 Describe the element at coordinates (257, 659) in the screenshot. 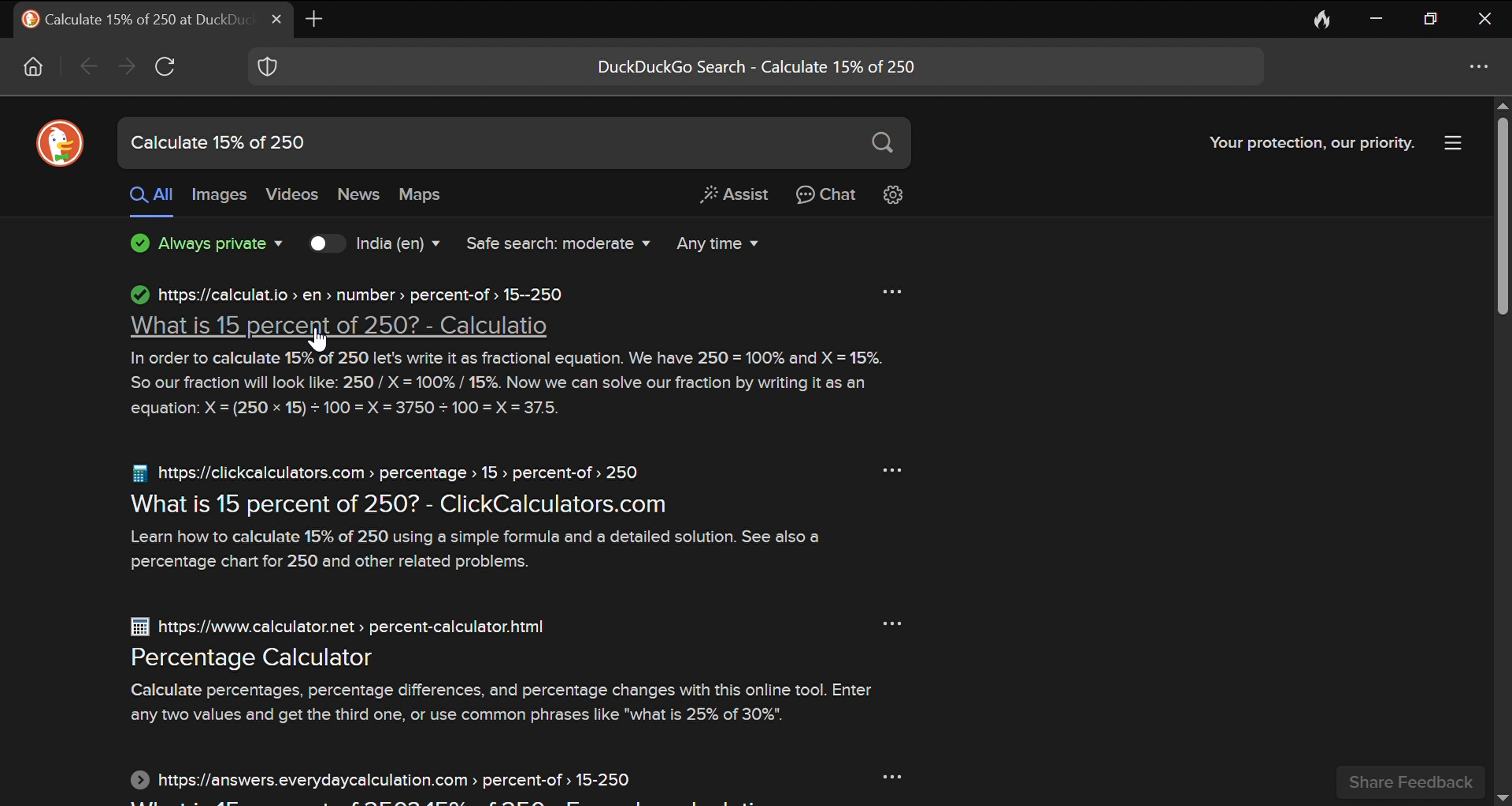

I see `resut 3: Percentage Calculator` at that location.